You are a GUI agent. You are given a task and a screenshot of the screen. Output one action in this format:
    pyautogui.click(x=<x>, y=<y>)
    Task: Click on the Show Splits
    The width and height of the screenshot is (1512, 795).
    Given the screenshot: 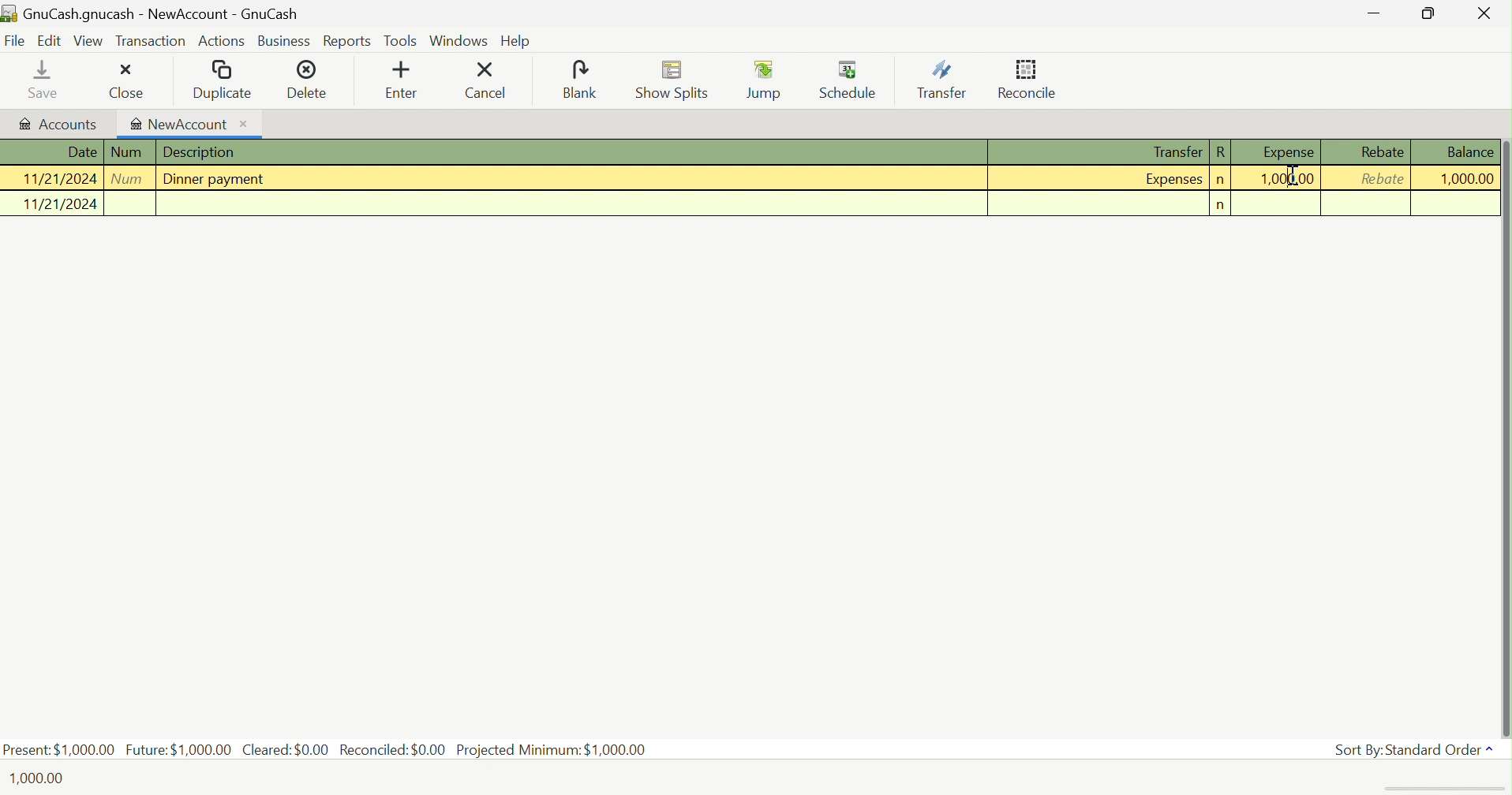 What is the action you would take?
    pyautogui.click(x=673, y=80)
    